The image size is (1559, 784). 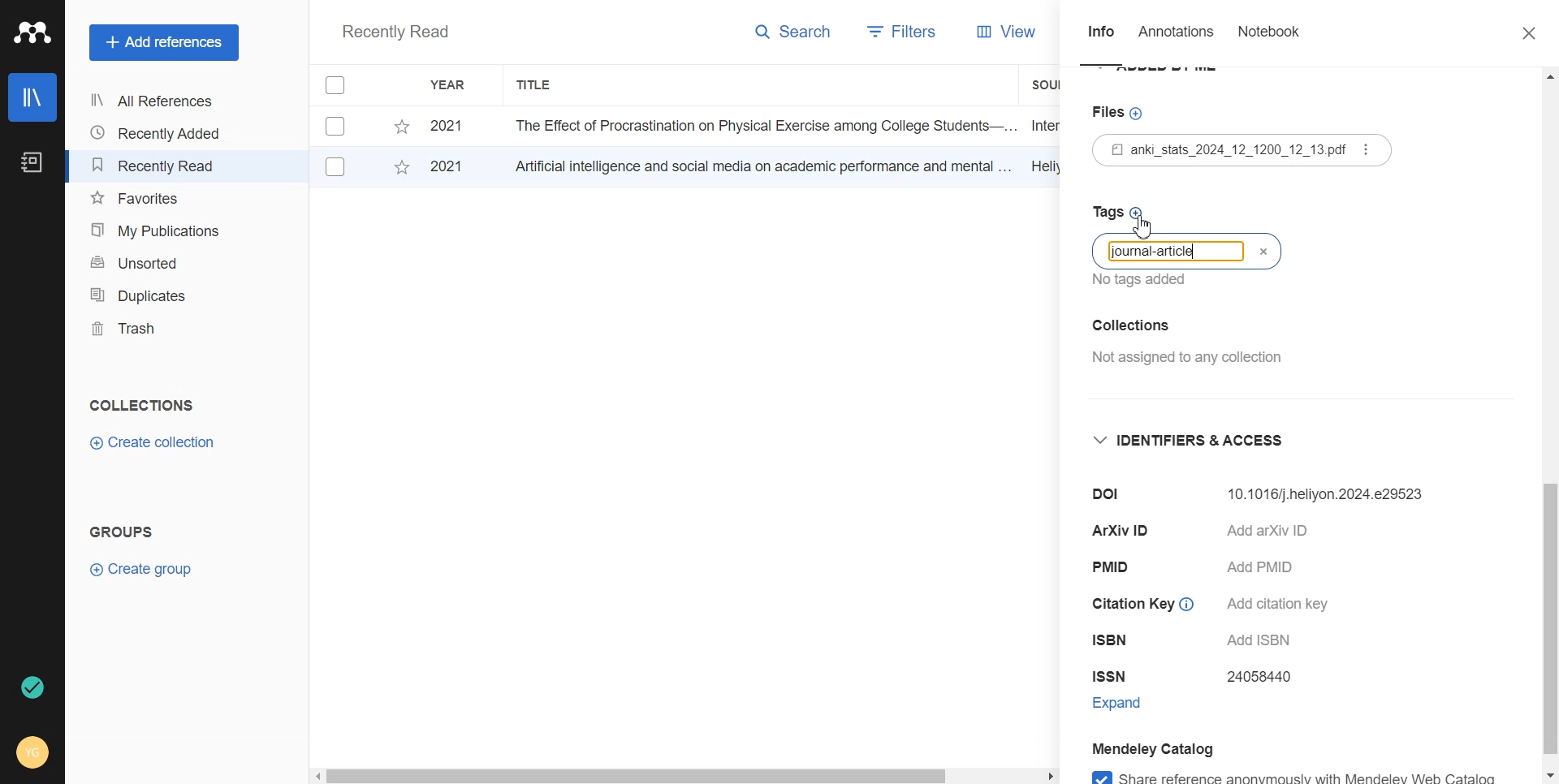 I want to click on Checkbox, so click(x=343, y=84).